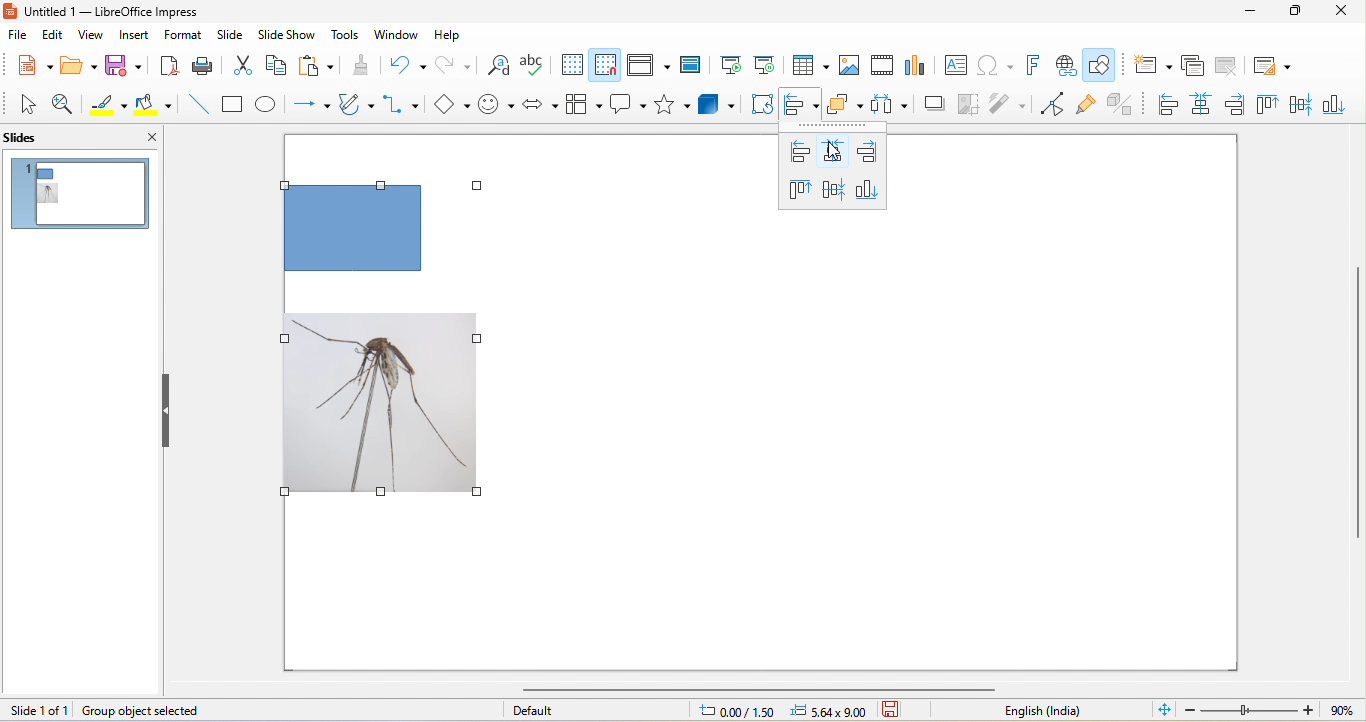 The image size is (1366, 722). What do you see at coordinates (672, 105) in the screenshot?
I see `stars and banners` at bounding box center [672, 105].